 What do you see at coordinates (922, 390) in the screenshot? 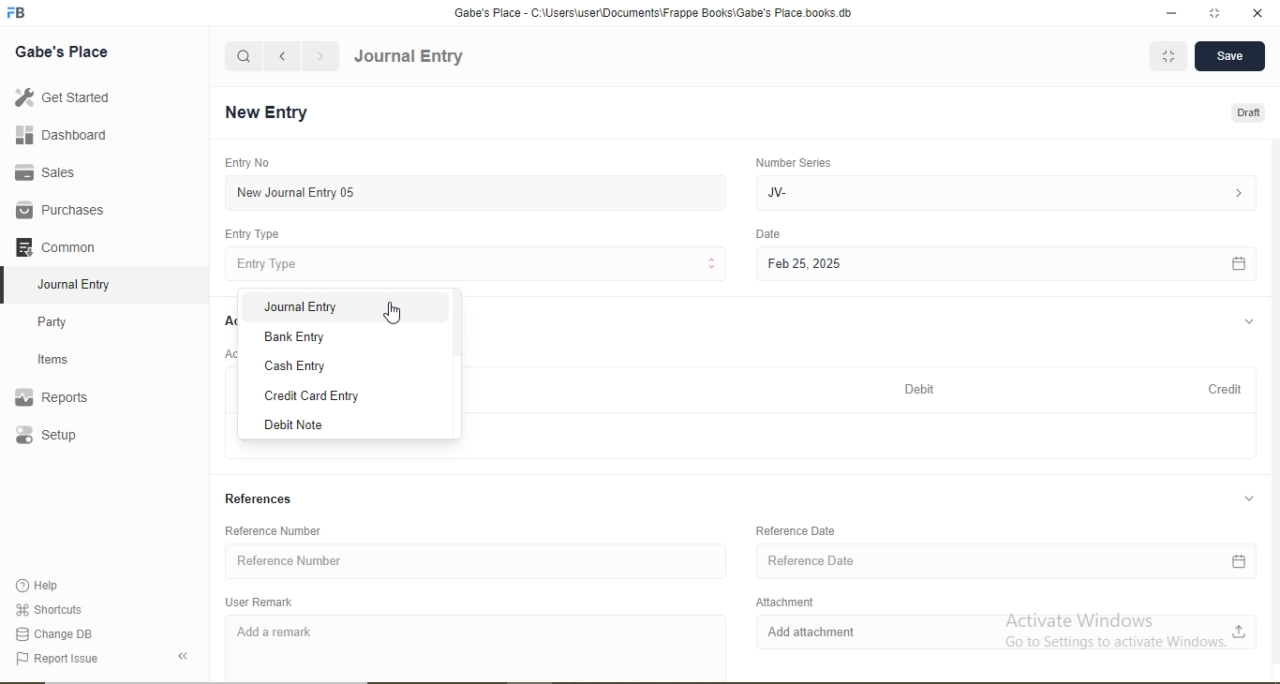
I see `Debit` at bounding box center [922, 390].